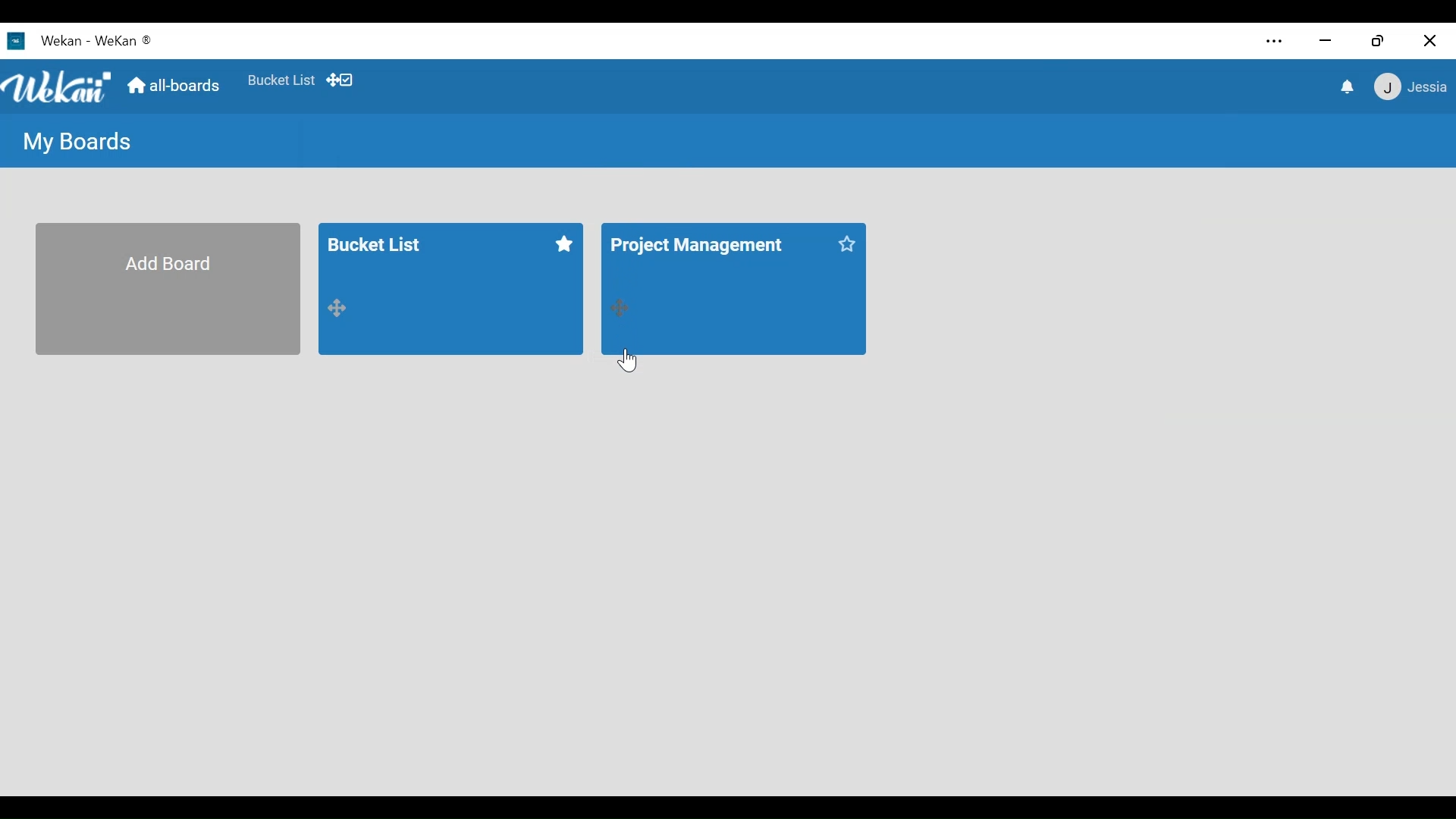  What do you see at coordinates (1276, 41) in the screenshot?
I see `Settings and more` at bounding box center [1276, 41].